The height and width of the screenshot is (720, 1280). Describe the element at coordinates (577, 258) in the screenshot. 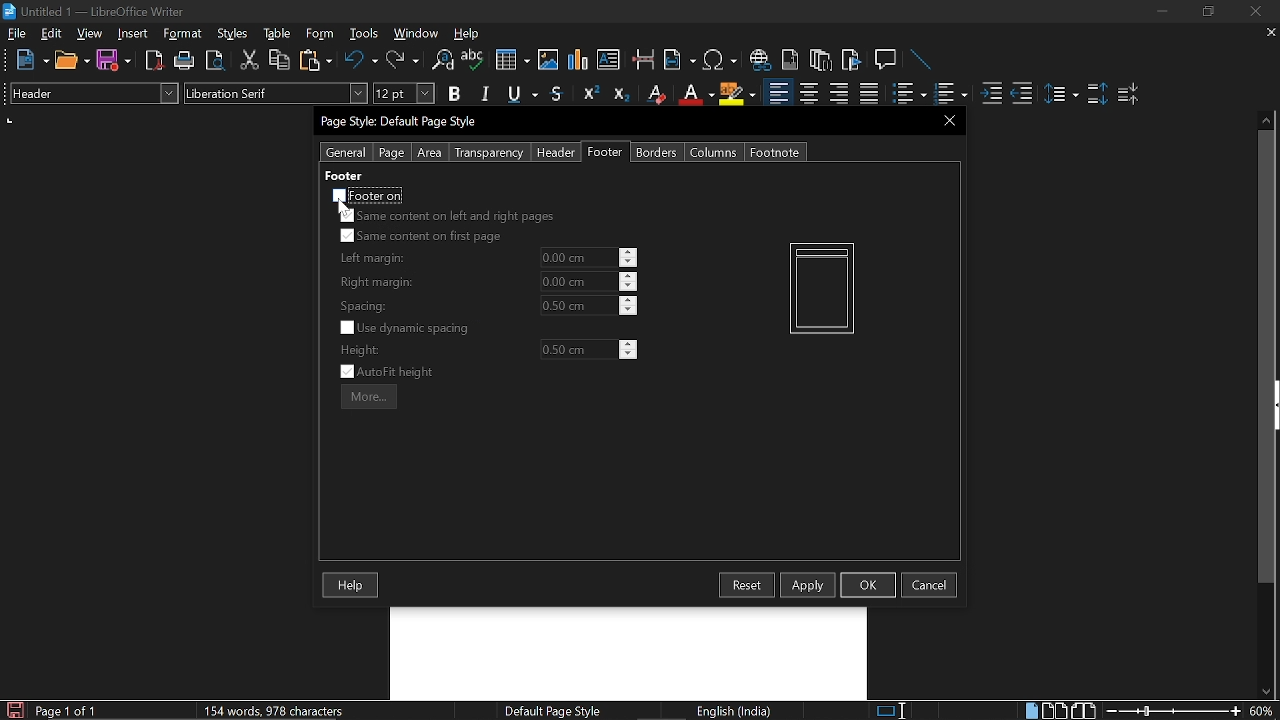

I see `line margin Line margin` at that location.